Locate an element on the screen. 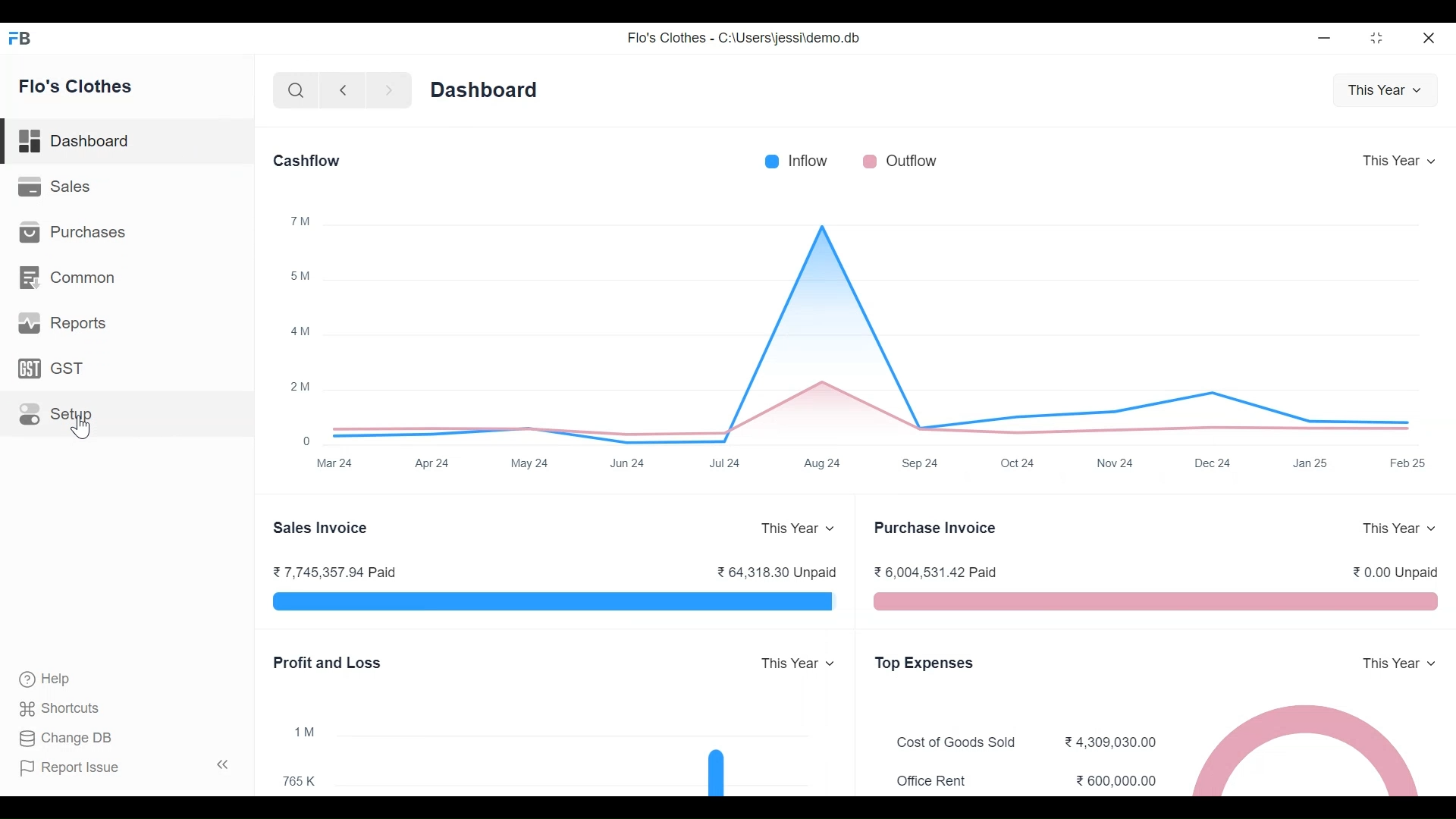 The image size is (1456, 819). expense division circle view is located at coordinates (1304, 748).